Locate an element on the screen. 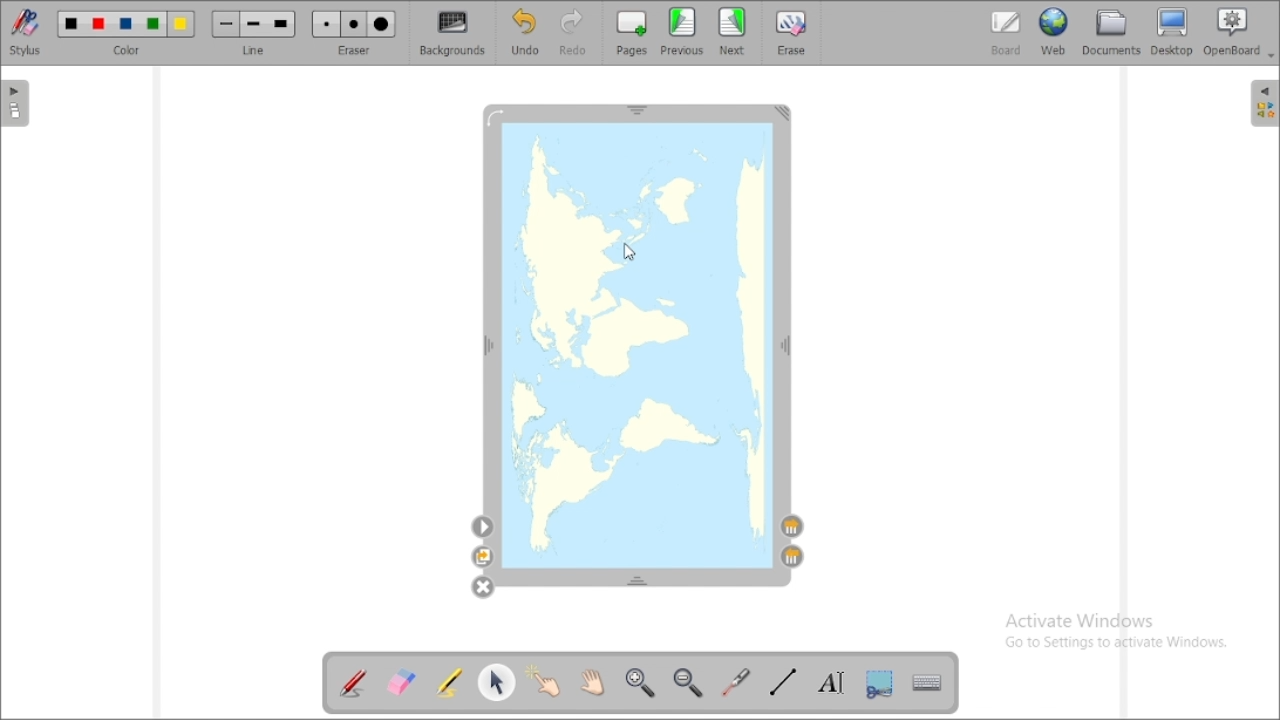 The width and height of the screenshot is (1280, 720). cursor is located at coordinates (630, 252).